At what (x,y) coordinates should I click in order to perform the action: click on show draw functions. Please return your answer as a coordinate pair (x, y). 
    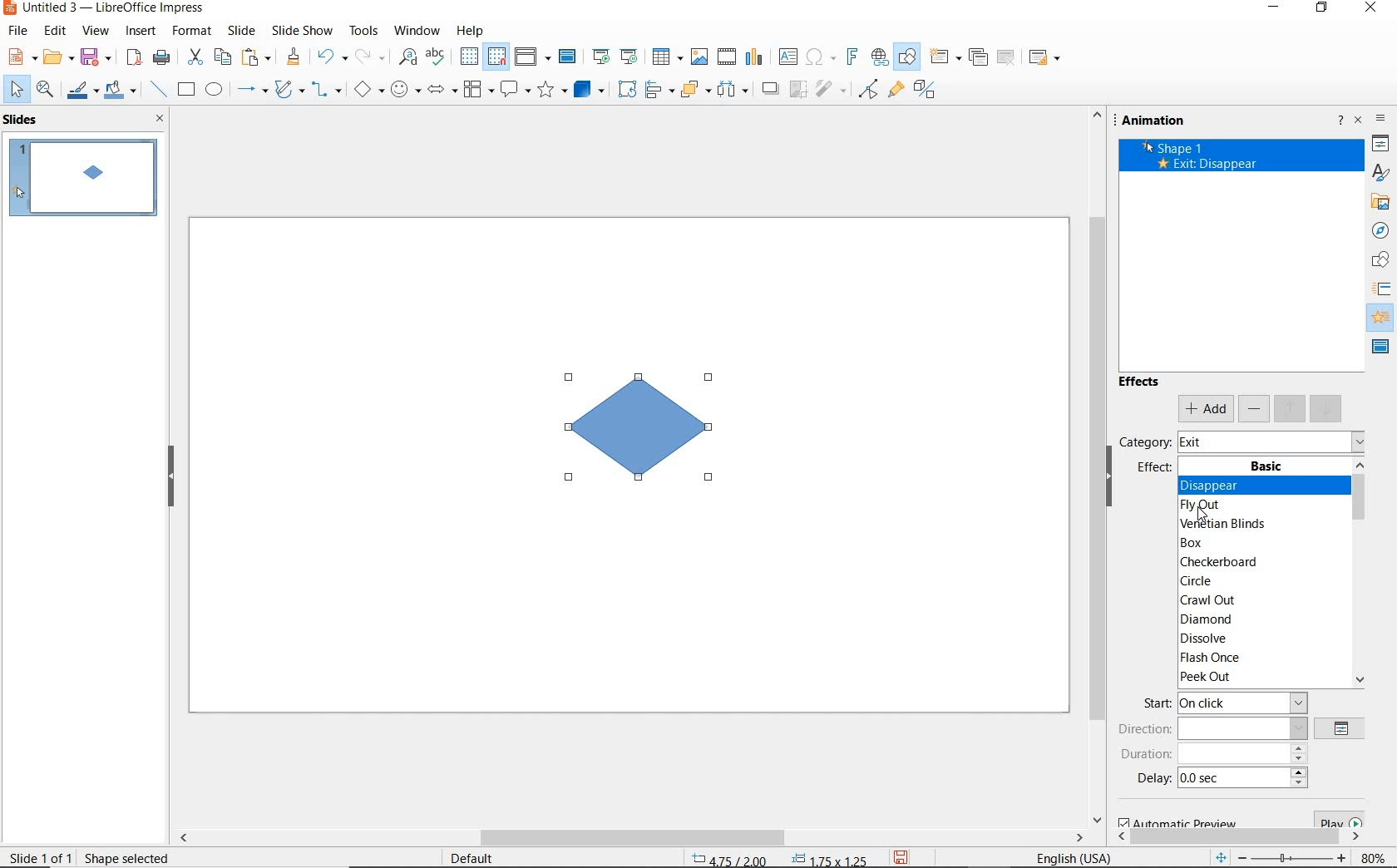
    Looking at the image, I should click on (906, 57).